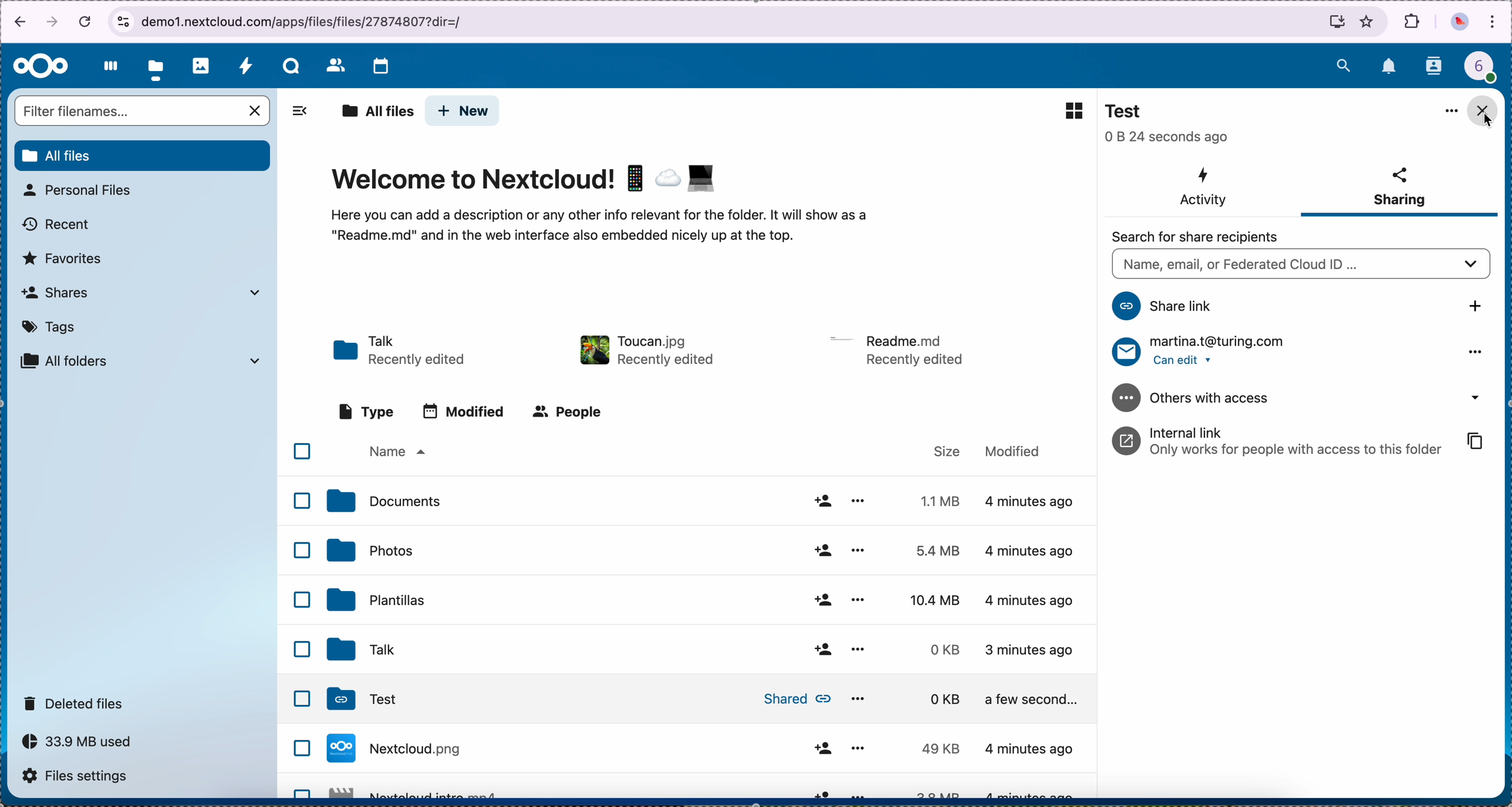  Describe the element at coordinates (710, 748) in the screenshot. I see `file` at that location.